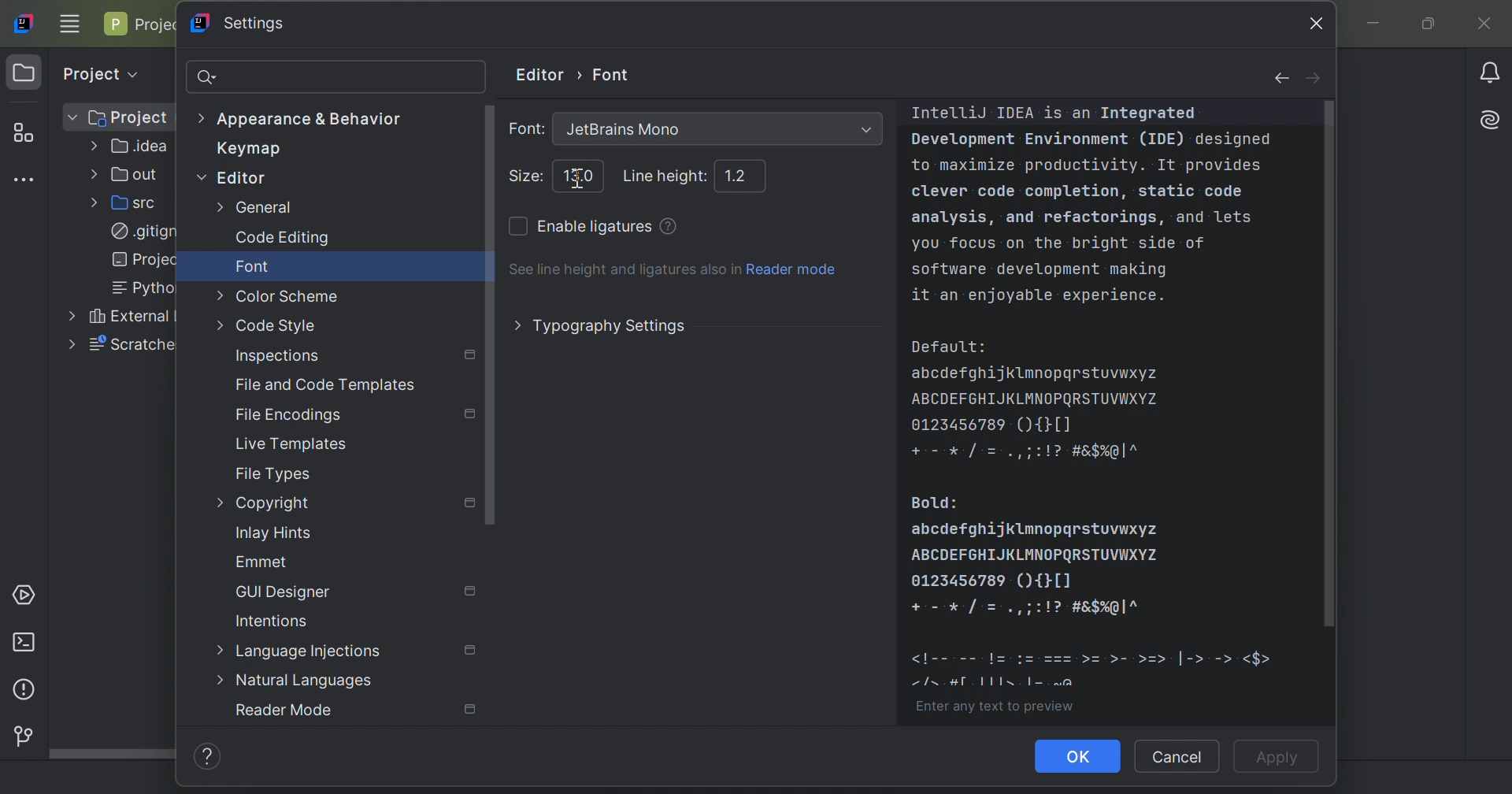 This screenshot has width=1512, height=794. I want to click on Checkbox, so click(516, 228).